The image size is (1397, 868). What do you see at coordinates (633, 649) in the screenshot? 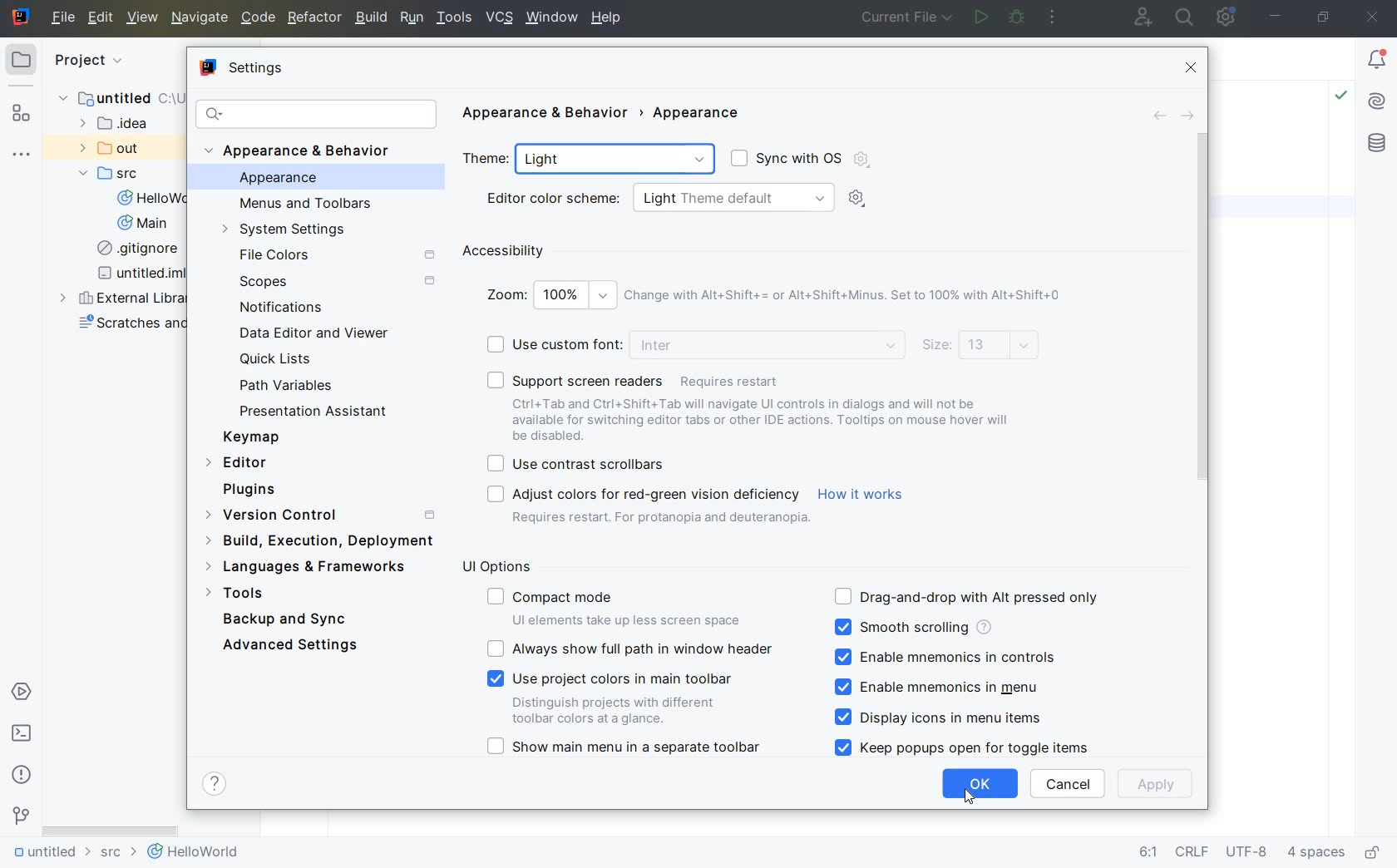
I see `always show full path in window header` at bounding box center [633, 649].